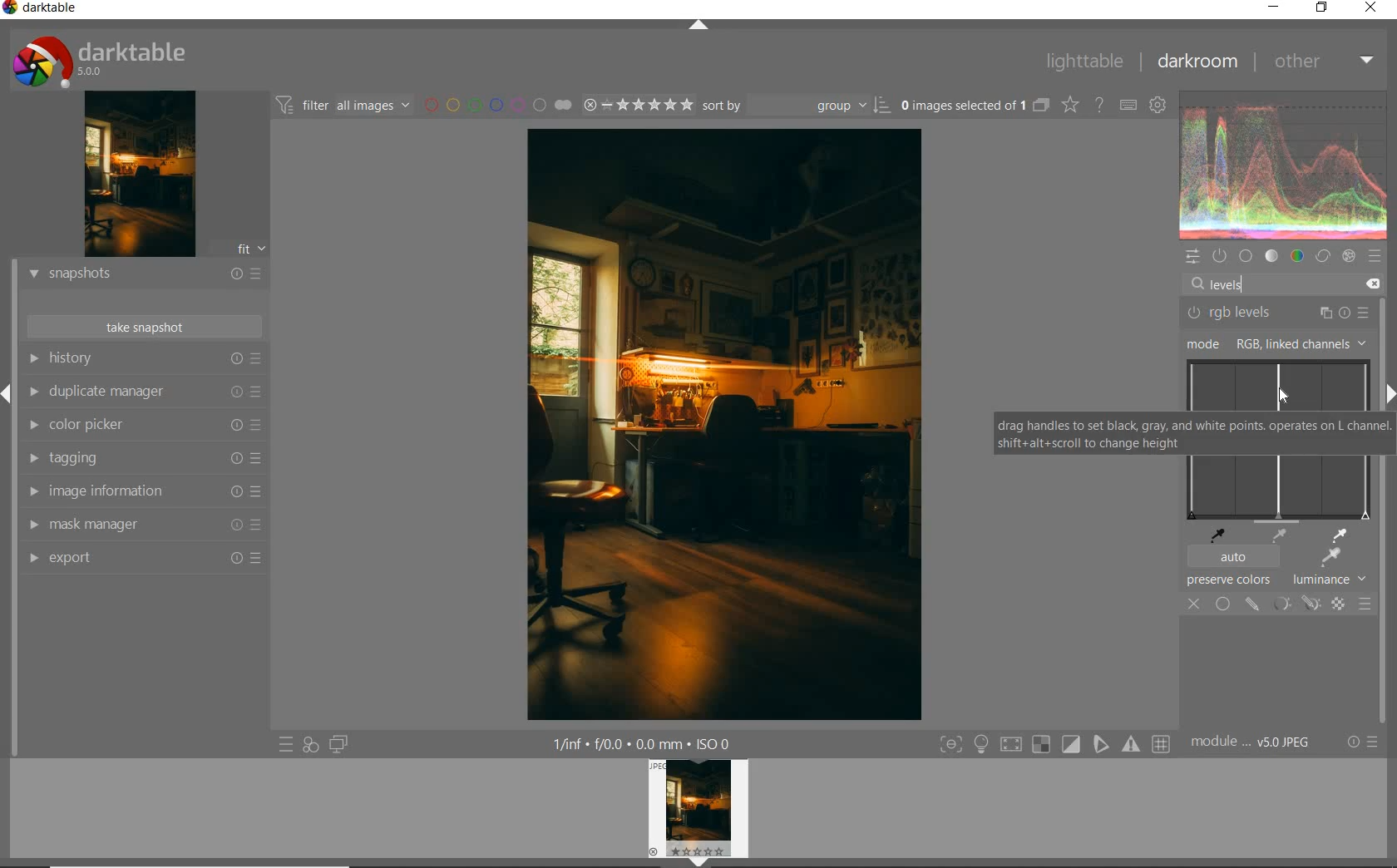 The image size is (1397, 868). I want to click on filter by image color, so click(498, 106).